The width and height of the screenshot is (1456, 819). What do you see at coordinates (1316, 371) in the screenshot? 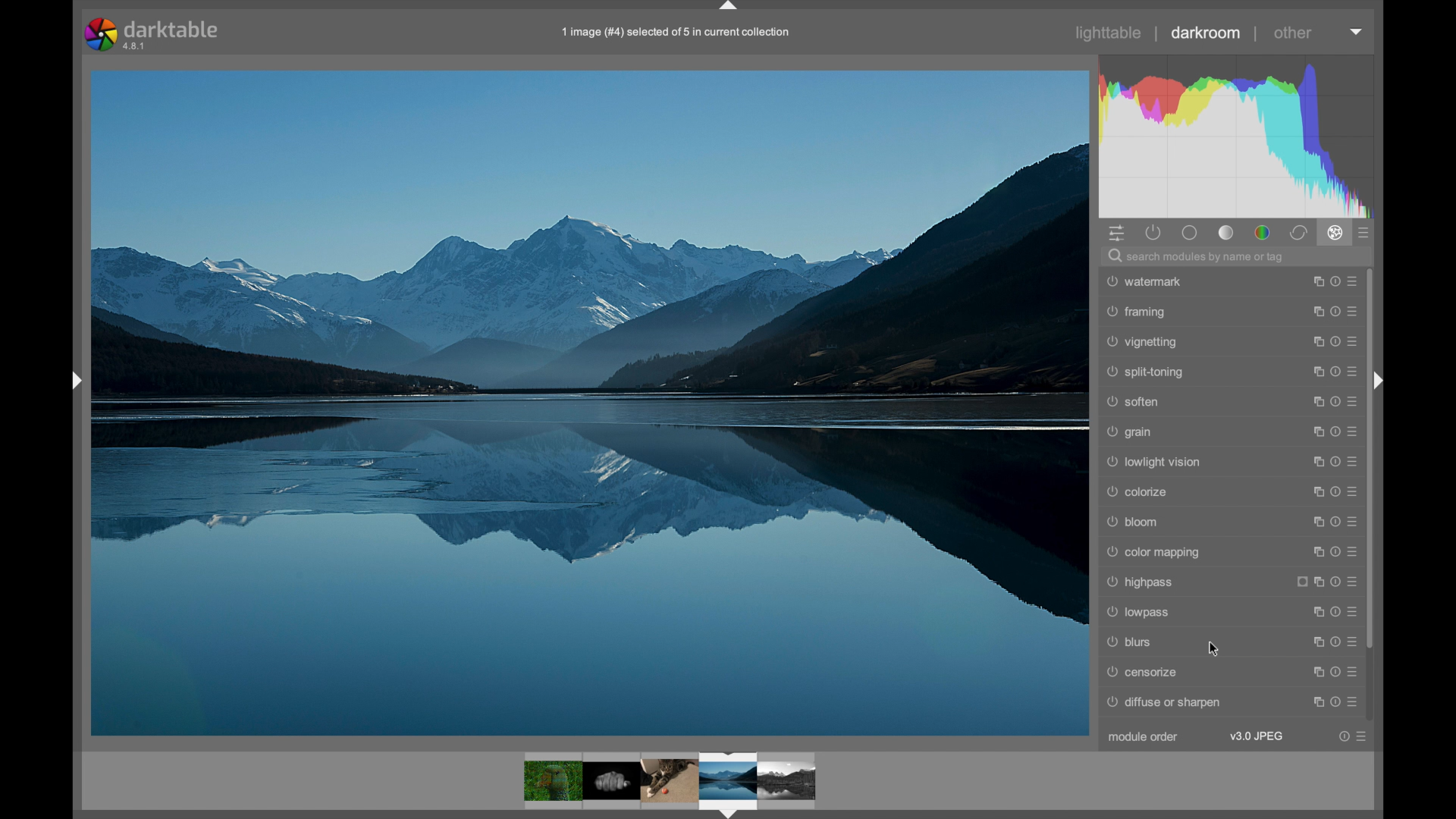
I see `maximize` at bounding box center [1316, 371].